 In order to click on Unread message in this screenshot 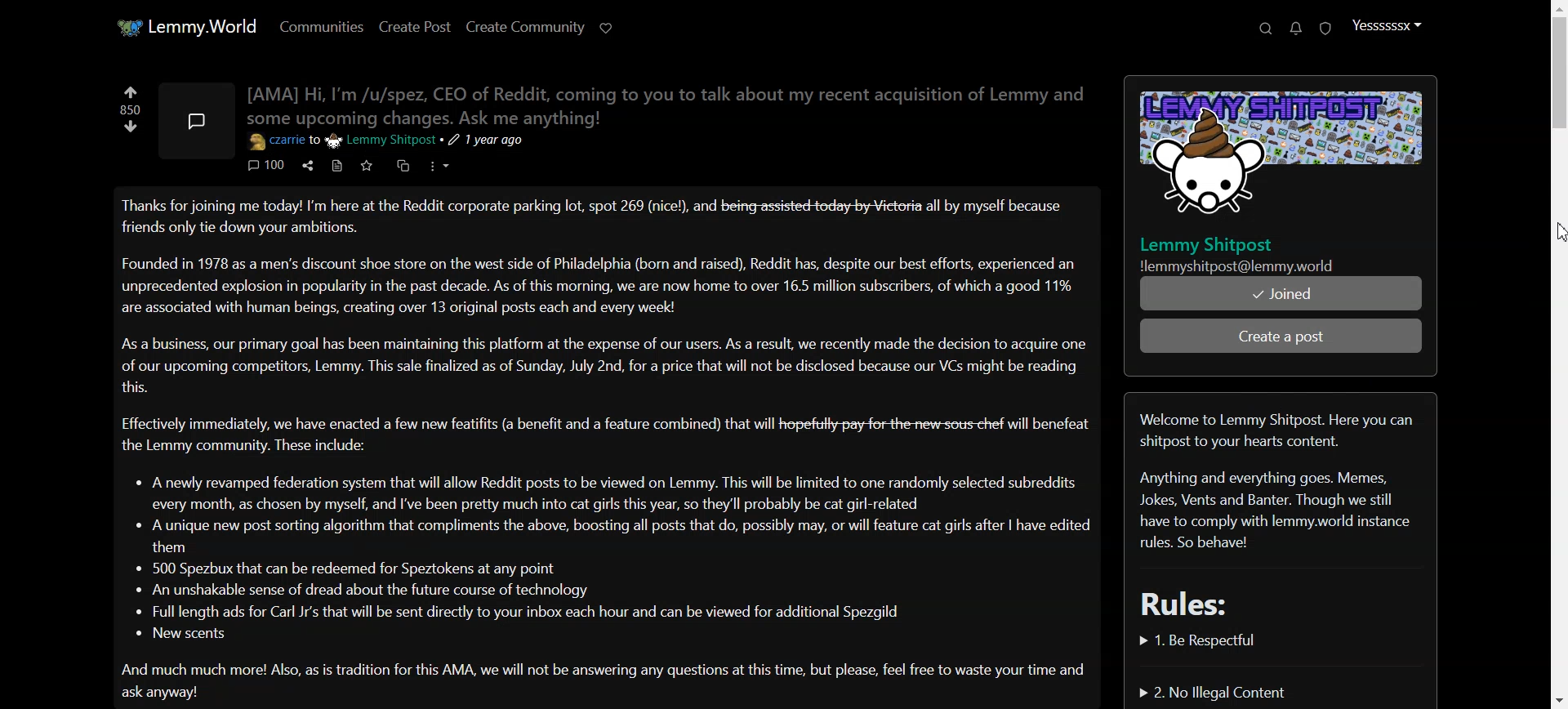, I will do `click(1295, 29)`.